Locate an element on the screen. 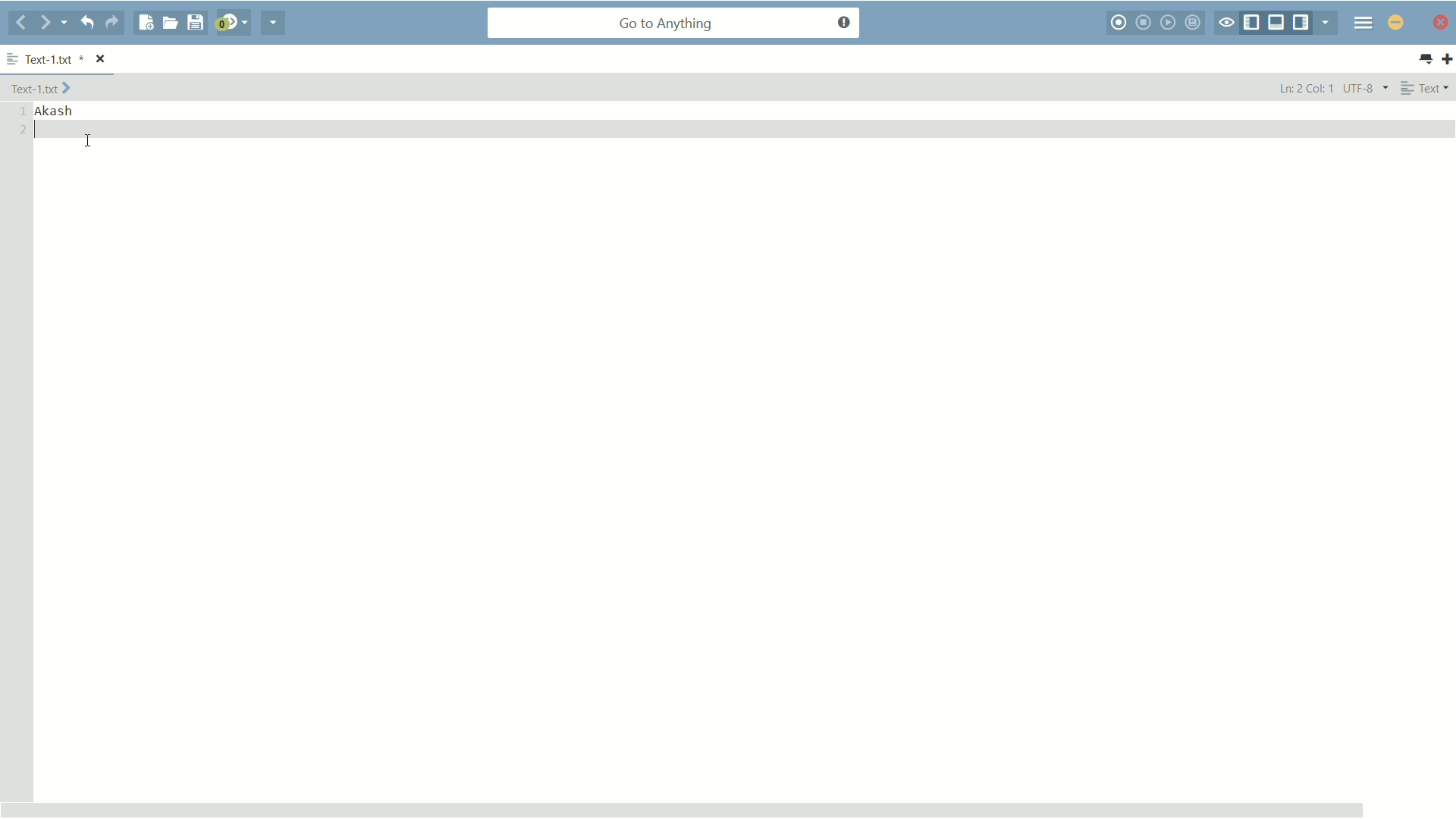 The image size is (1456, 819). play last macro is located at coordinates (1169, 22).